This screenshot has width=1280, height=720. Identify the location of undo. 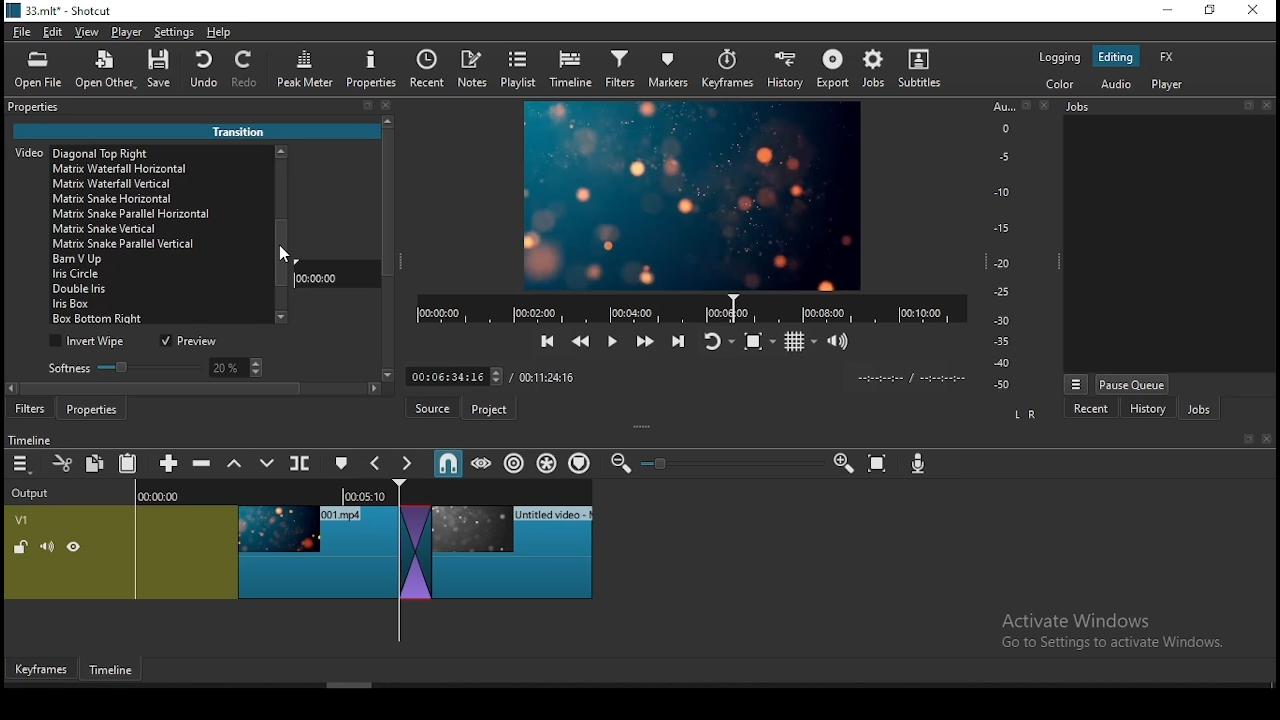
(205, 70).